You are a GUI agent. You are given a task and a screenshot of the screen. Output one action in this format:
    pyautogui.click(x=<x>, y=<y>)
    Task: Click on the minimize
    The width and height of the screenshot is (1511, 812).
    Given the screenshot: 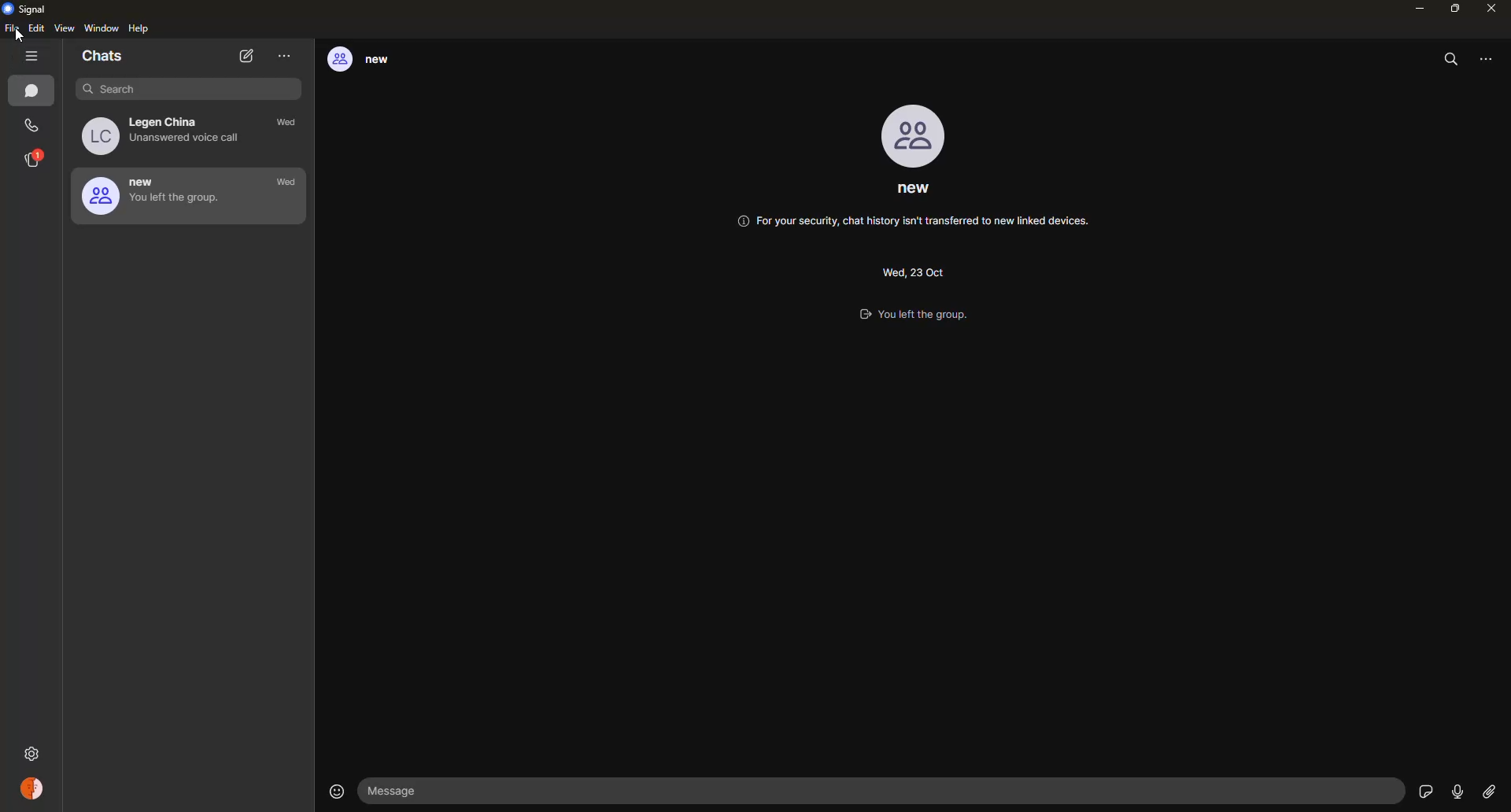 What is the action you would take?
    pyautogui.click(x=1415, y=9)
    